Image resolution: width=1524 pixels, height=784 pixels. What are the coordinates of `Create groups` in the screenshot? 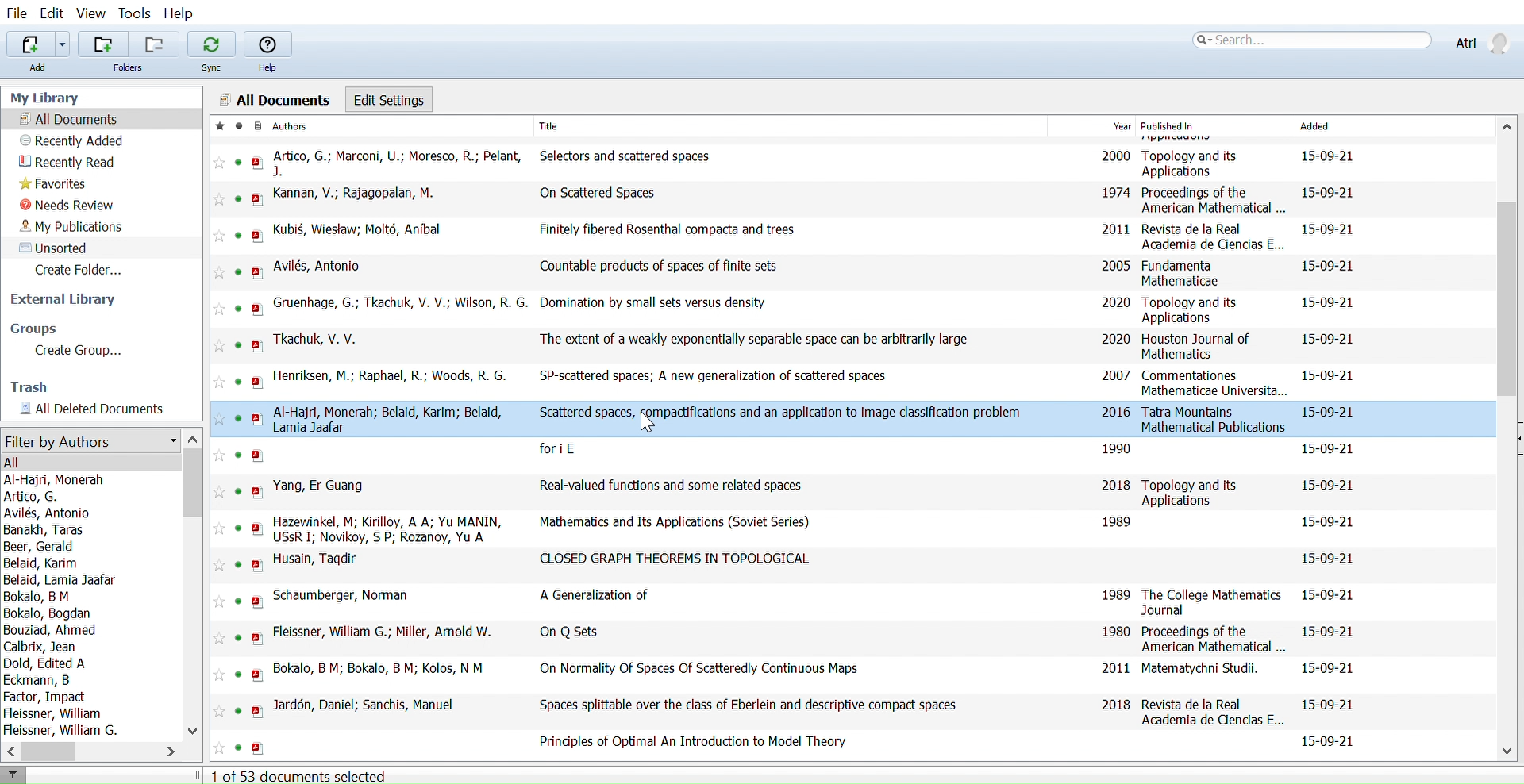 It's located at (72, 350).